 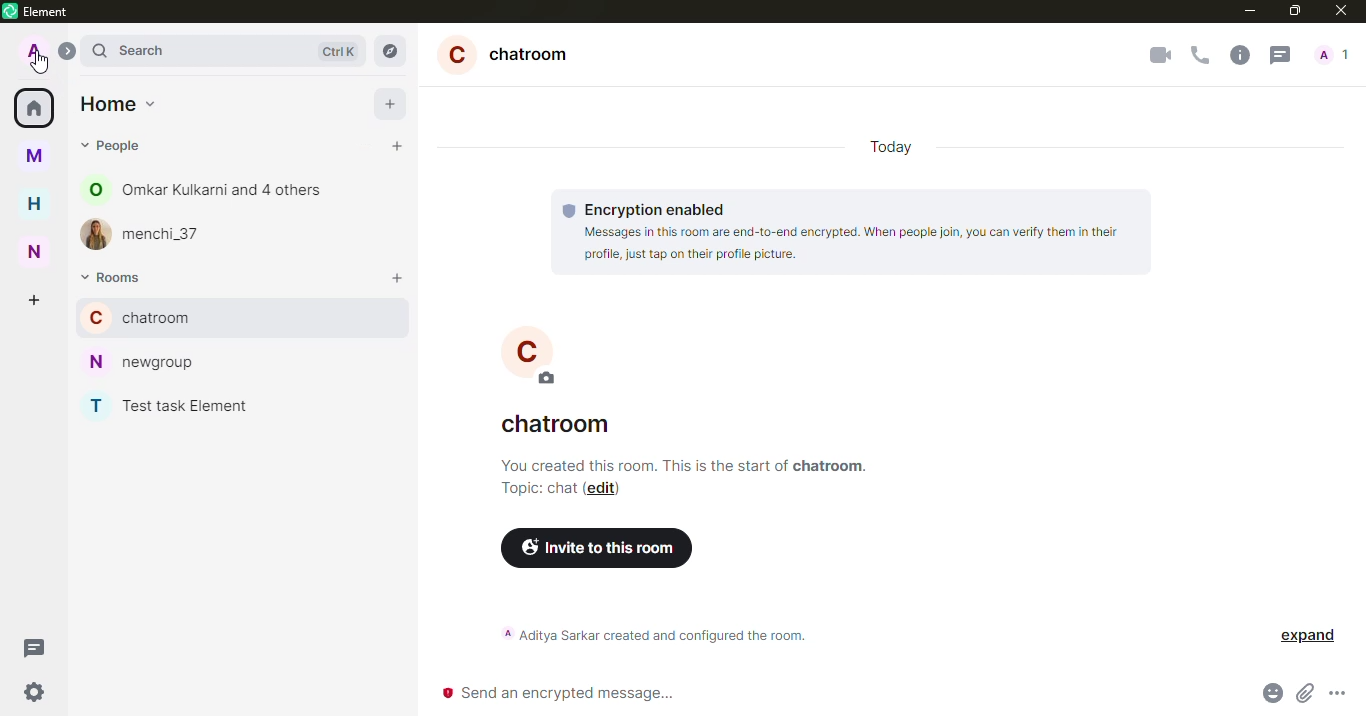 I want to click on expand, so click(x=67, y=51).